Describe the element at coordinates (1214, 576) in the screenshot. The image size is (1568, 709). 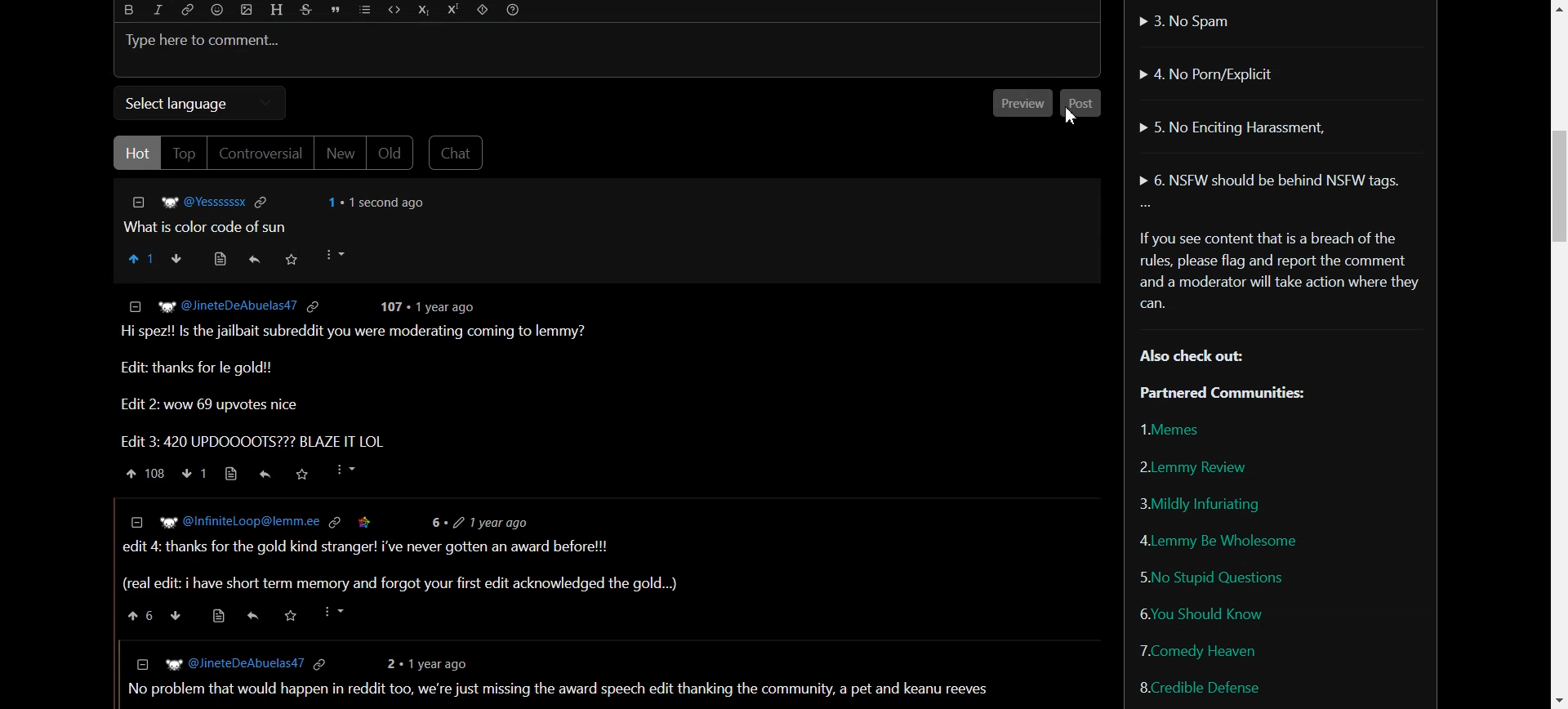
I see `No Stupid Questions` at that location.